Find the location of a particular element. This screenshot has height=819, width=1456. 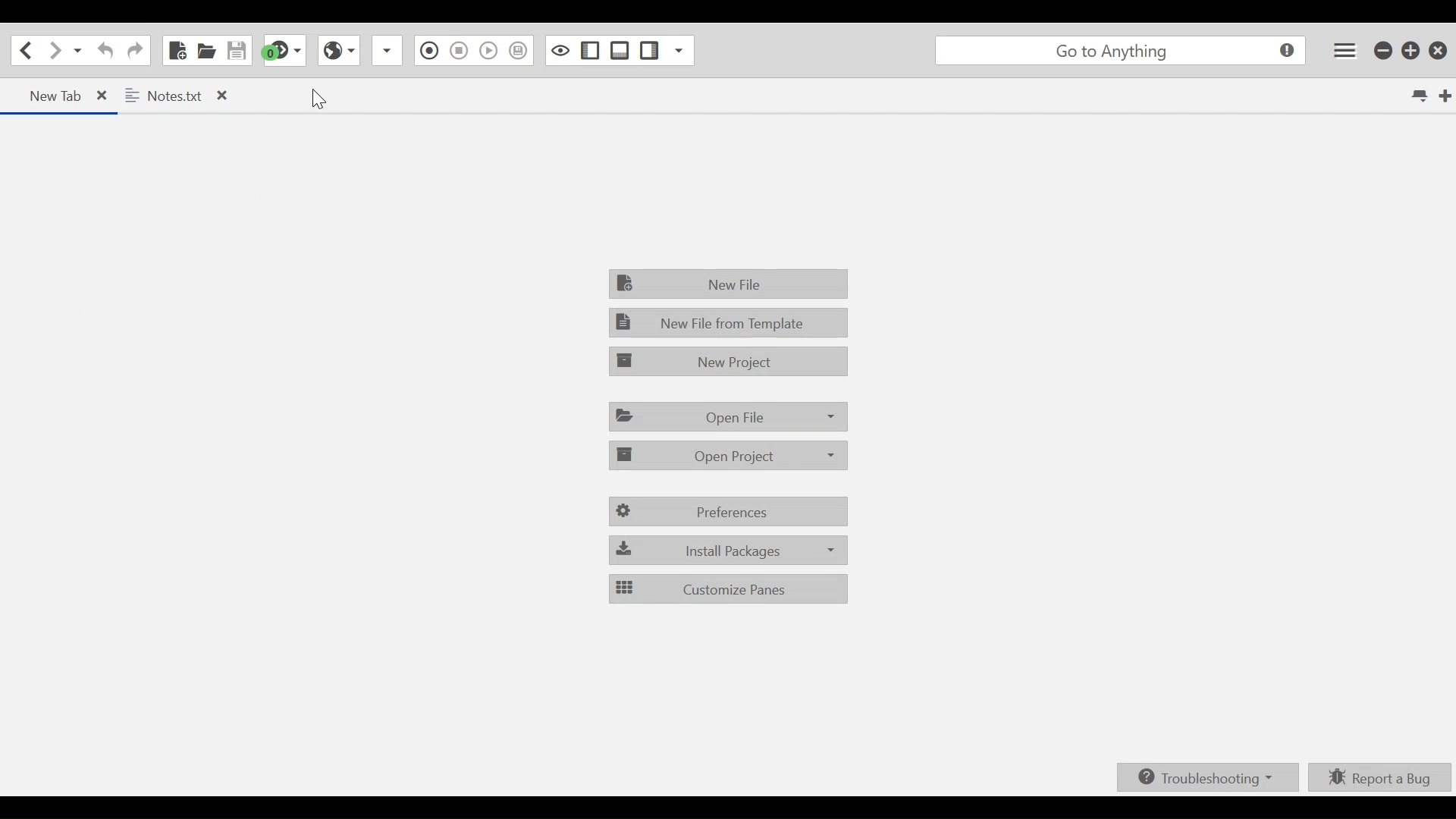

Show/Hide Right Pane is located at coordinates (560, 49).